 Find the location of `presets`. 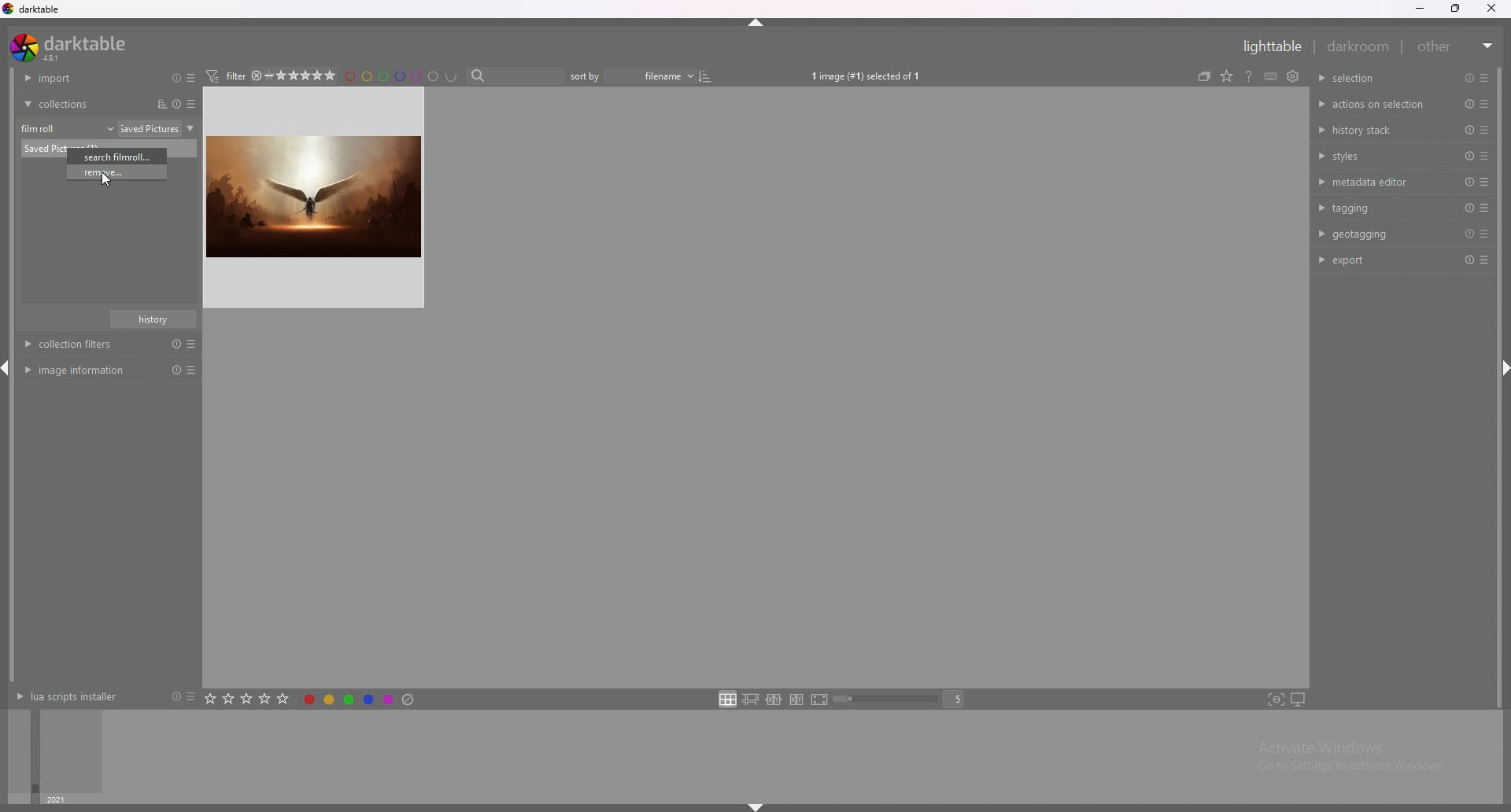

presets is located at coordinates (1485, 261).